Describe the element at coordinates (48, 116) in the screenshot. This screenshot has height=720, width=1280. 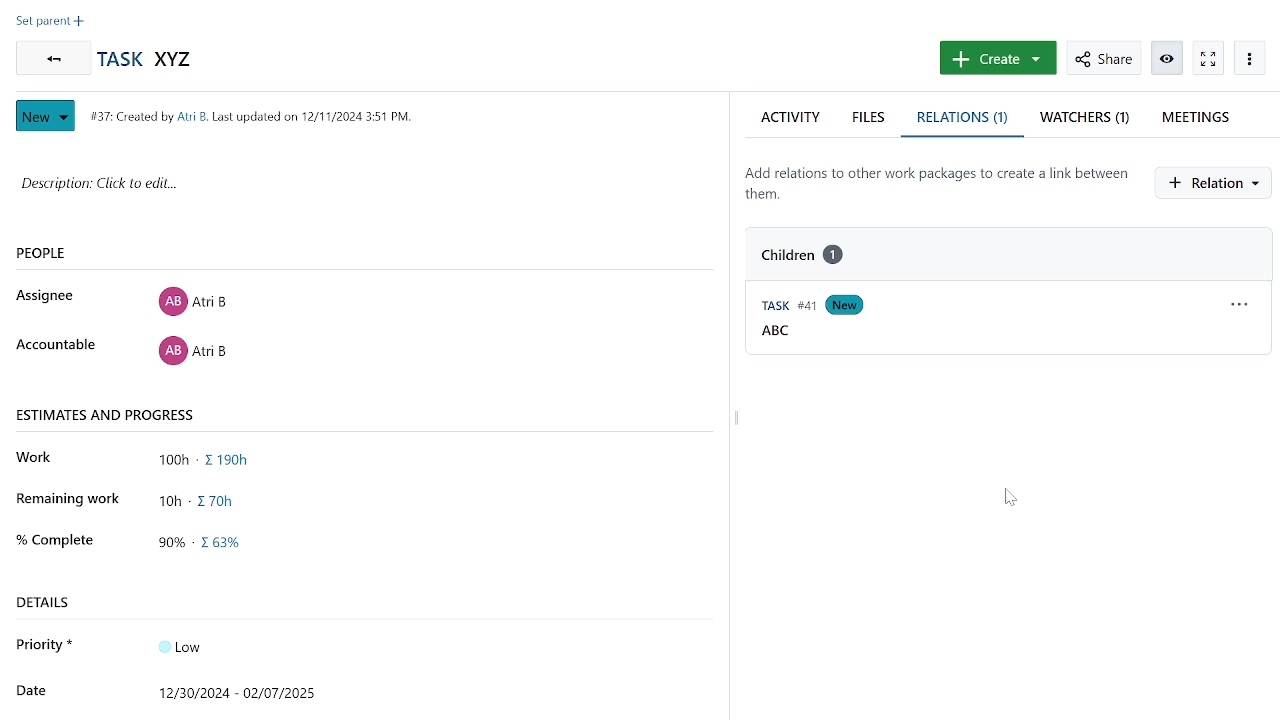
I see `New` at that location.